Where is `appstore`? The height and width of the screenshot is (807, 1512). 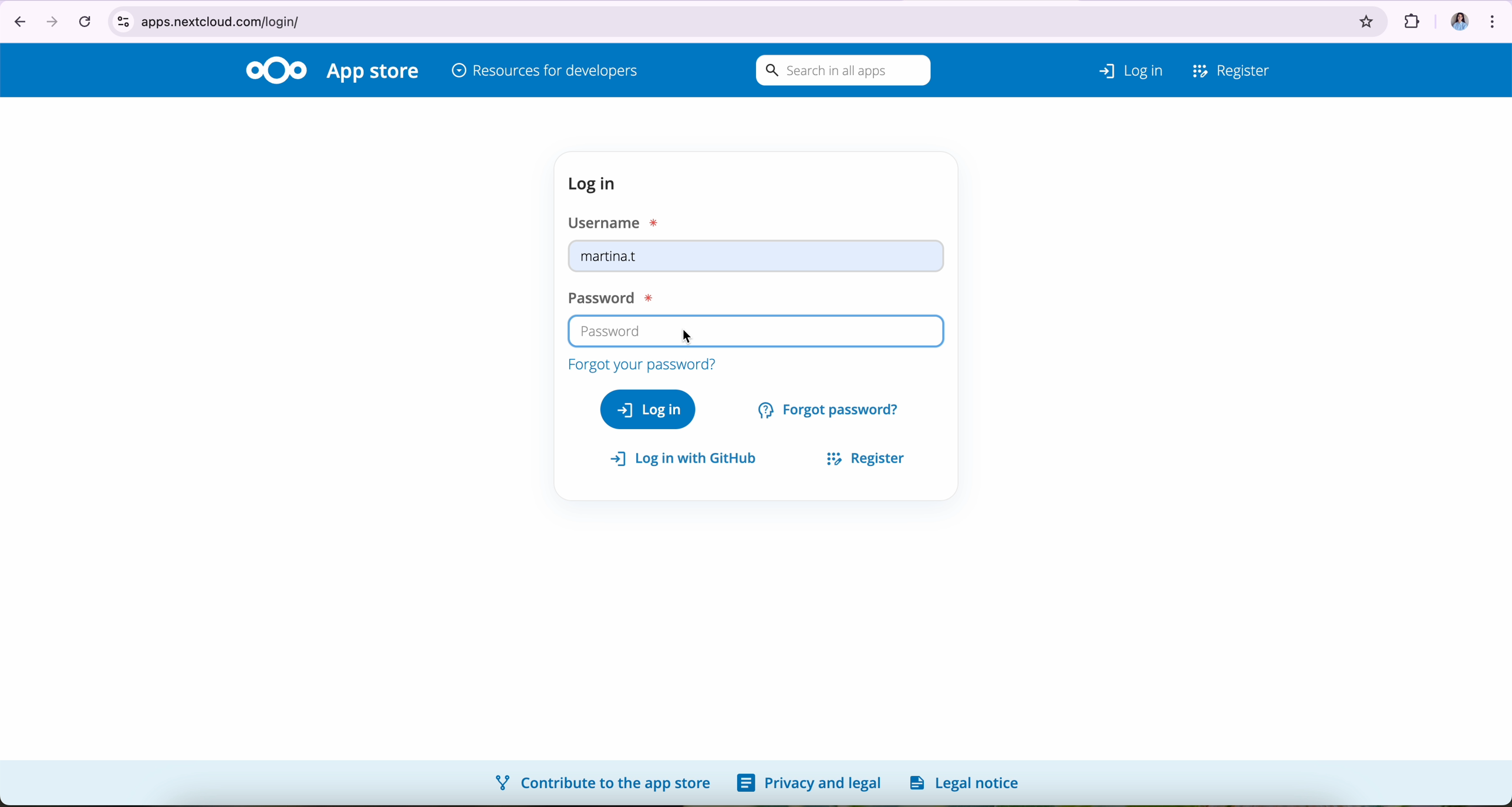
appstore is located at coordinates (375, 73).